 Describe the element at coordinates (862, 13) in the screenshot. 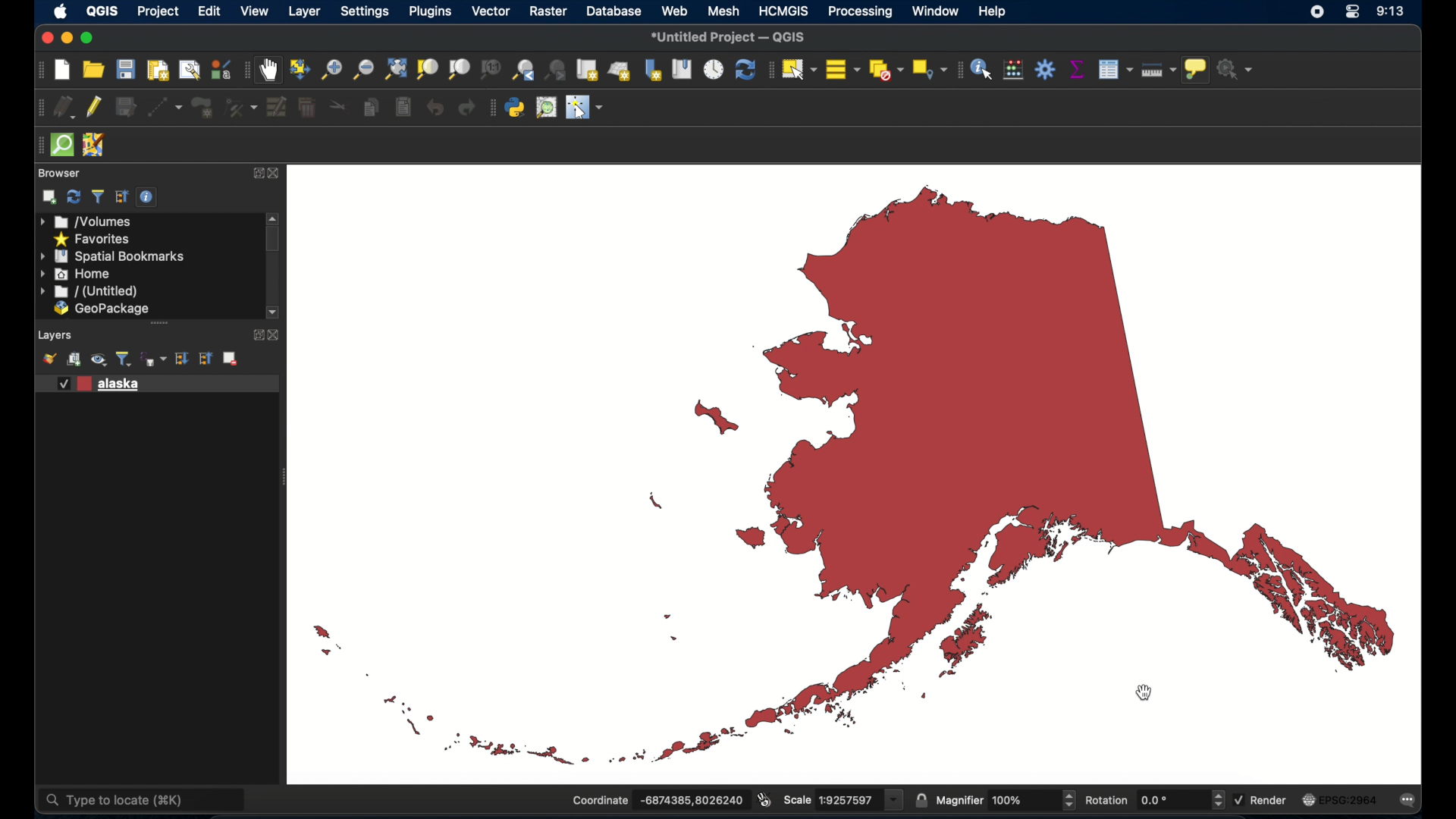

I see `processing` at that location.